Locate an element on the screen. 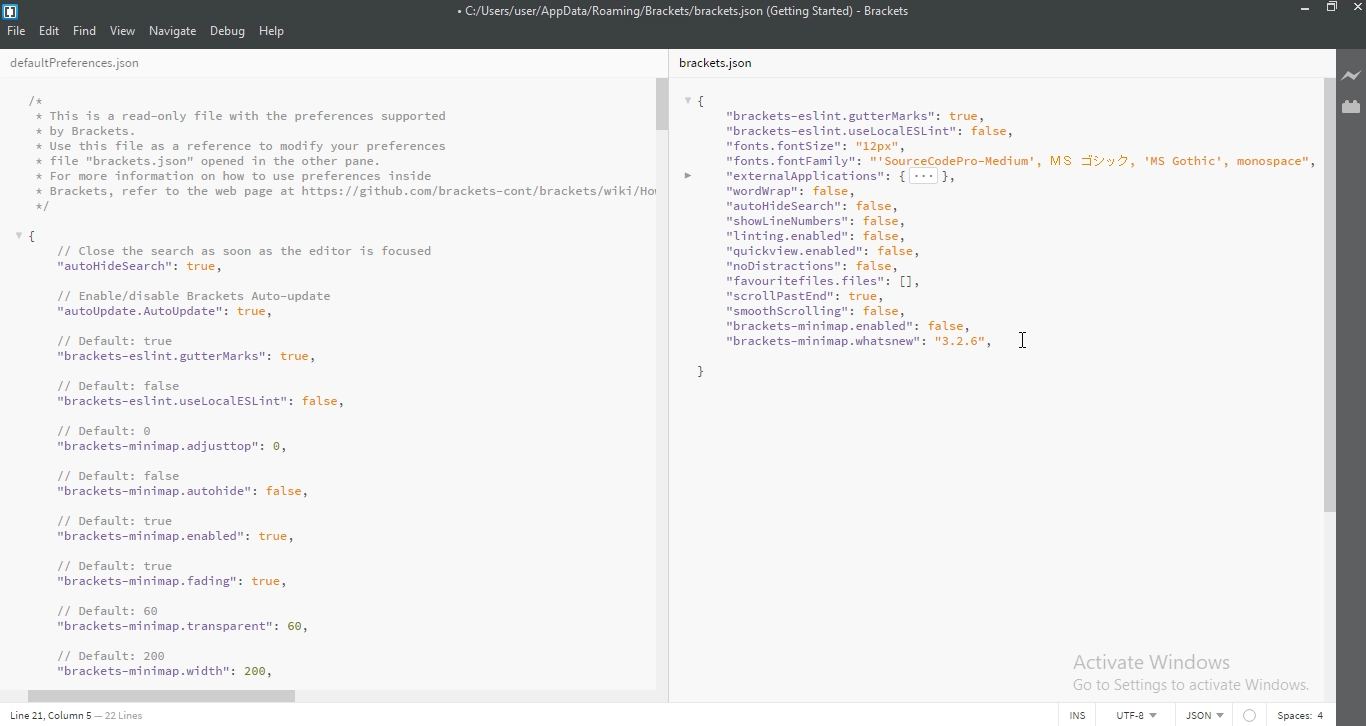 The height and width of the screenshot is (726, 1366). Activate Windows
Go to Settings to activate Windows. is located at coordinates (1190, 671).